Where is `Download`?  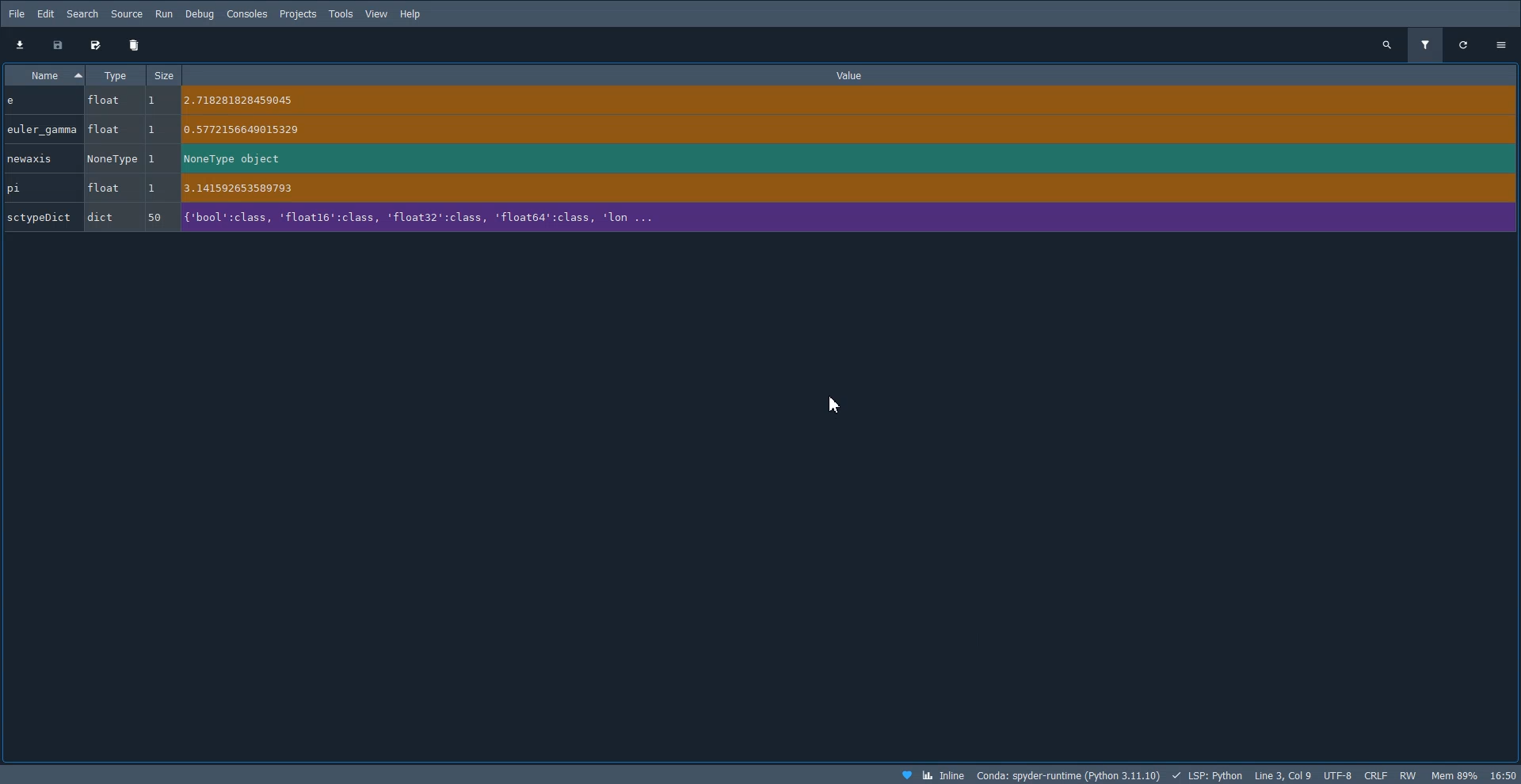 Download is located at coordinates (22, 44).